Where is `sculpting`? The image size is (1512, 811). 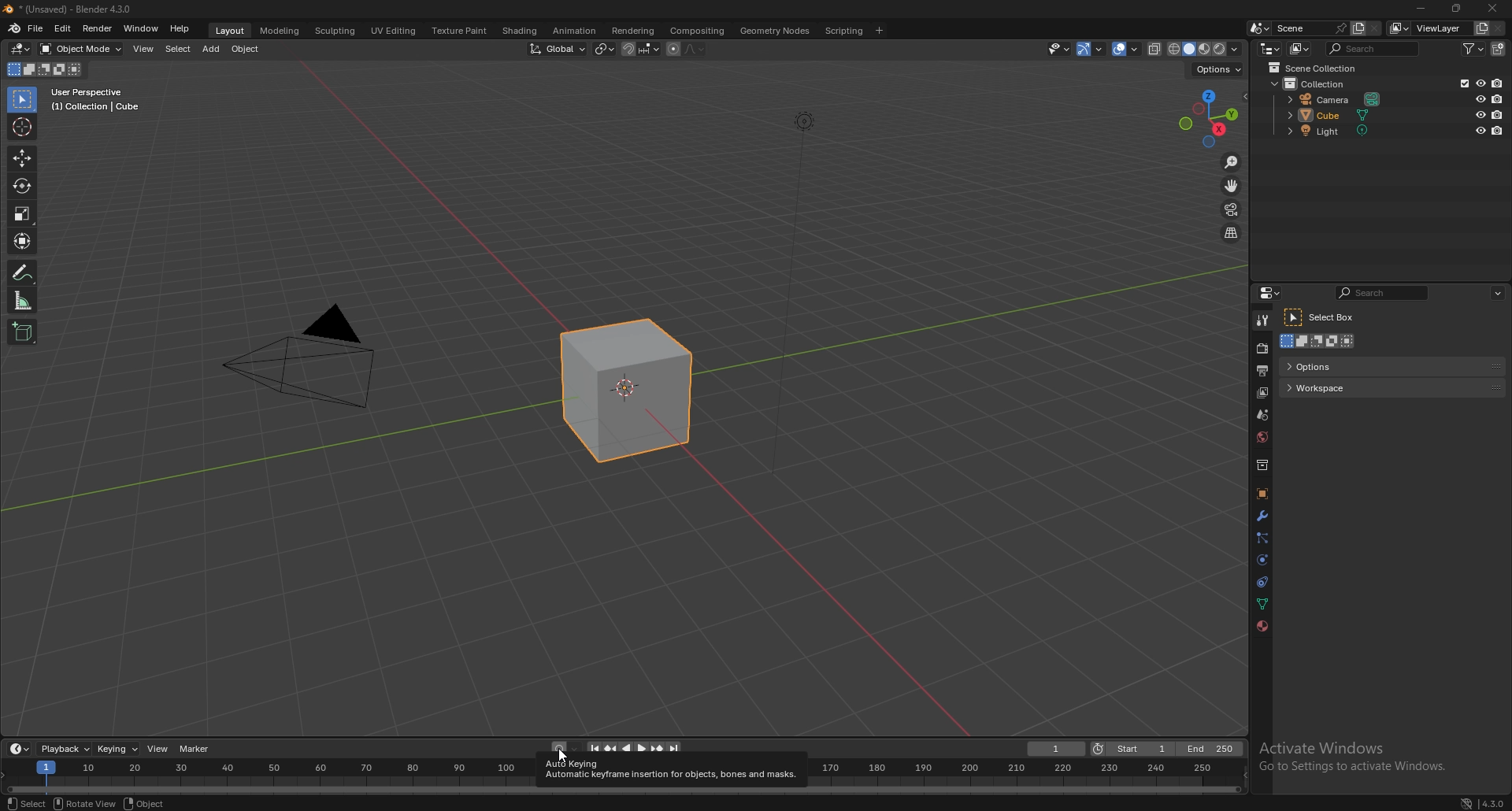 sculpting is located at coordinates (337, 31).